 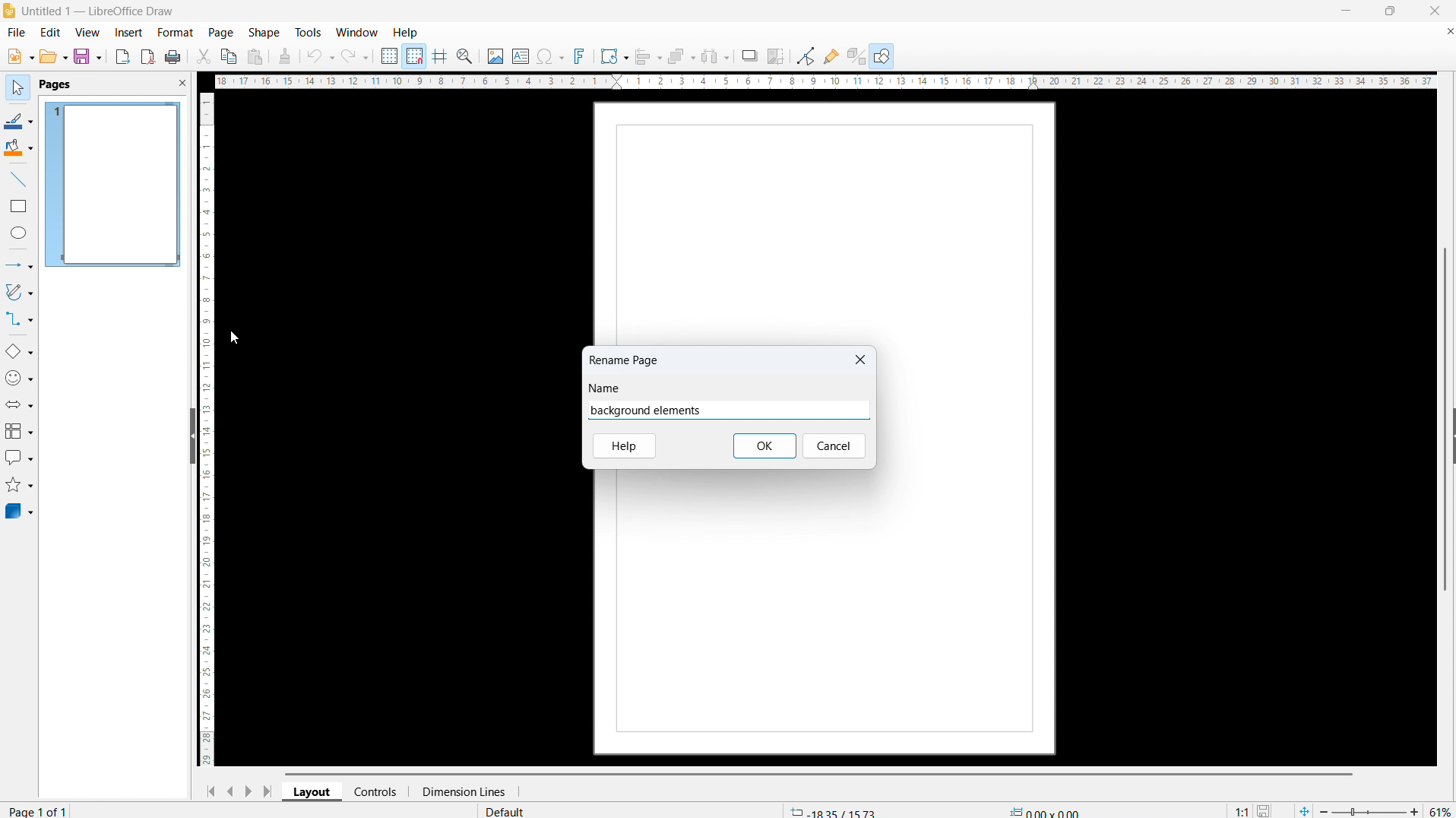 I want to click on controls, so click(x=376, y=791).